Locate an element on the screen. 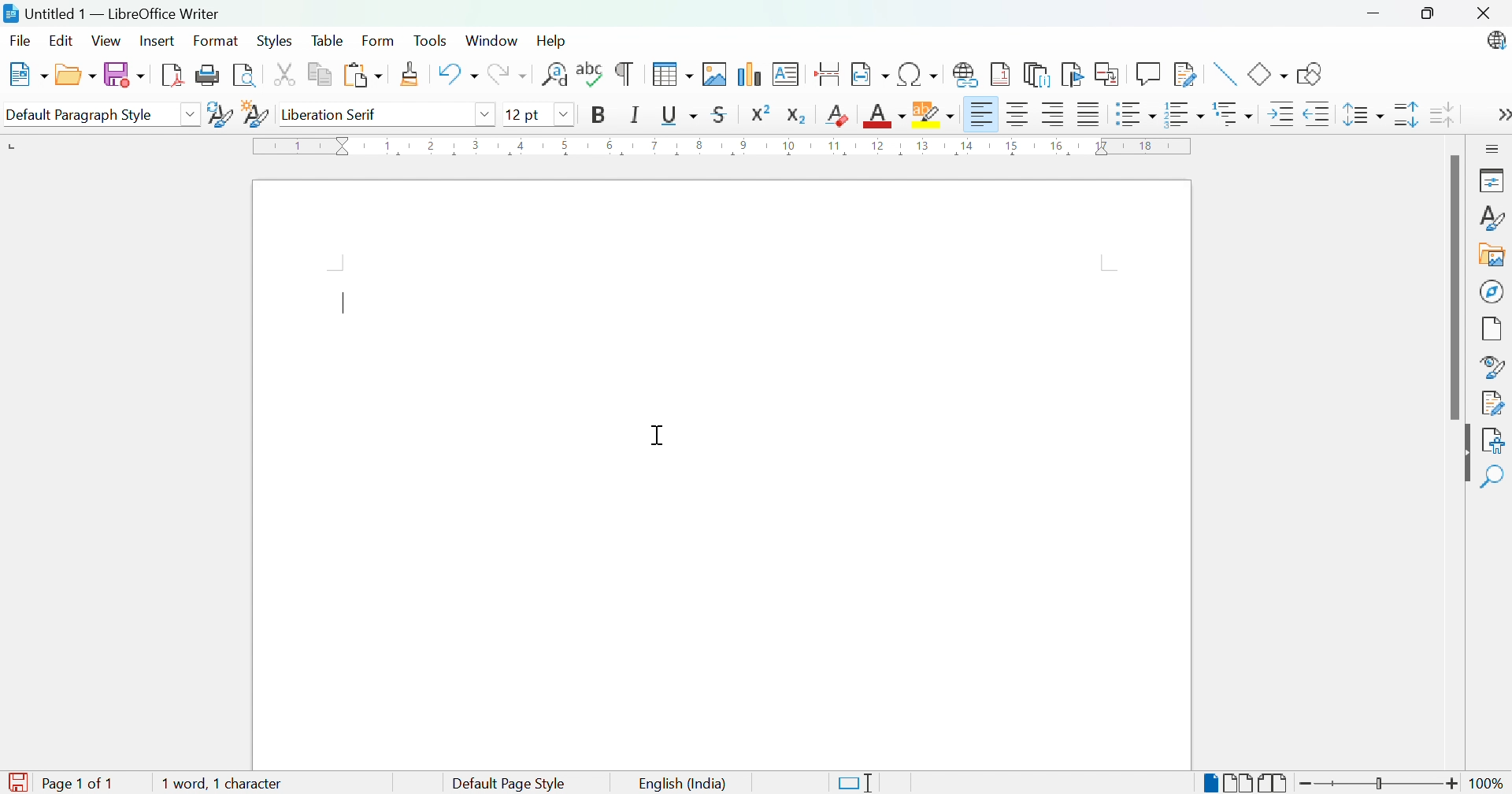  Insert footnote is located at coordinates (1002, 73).